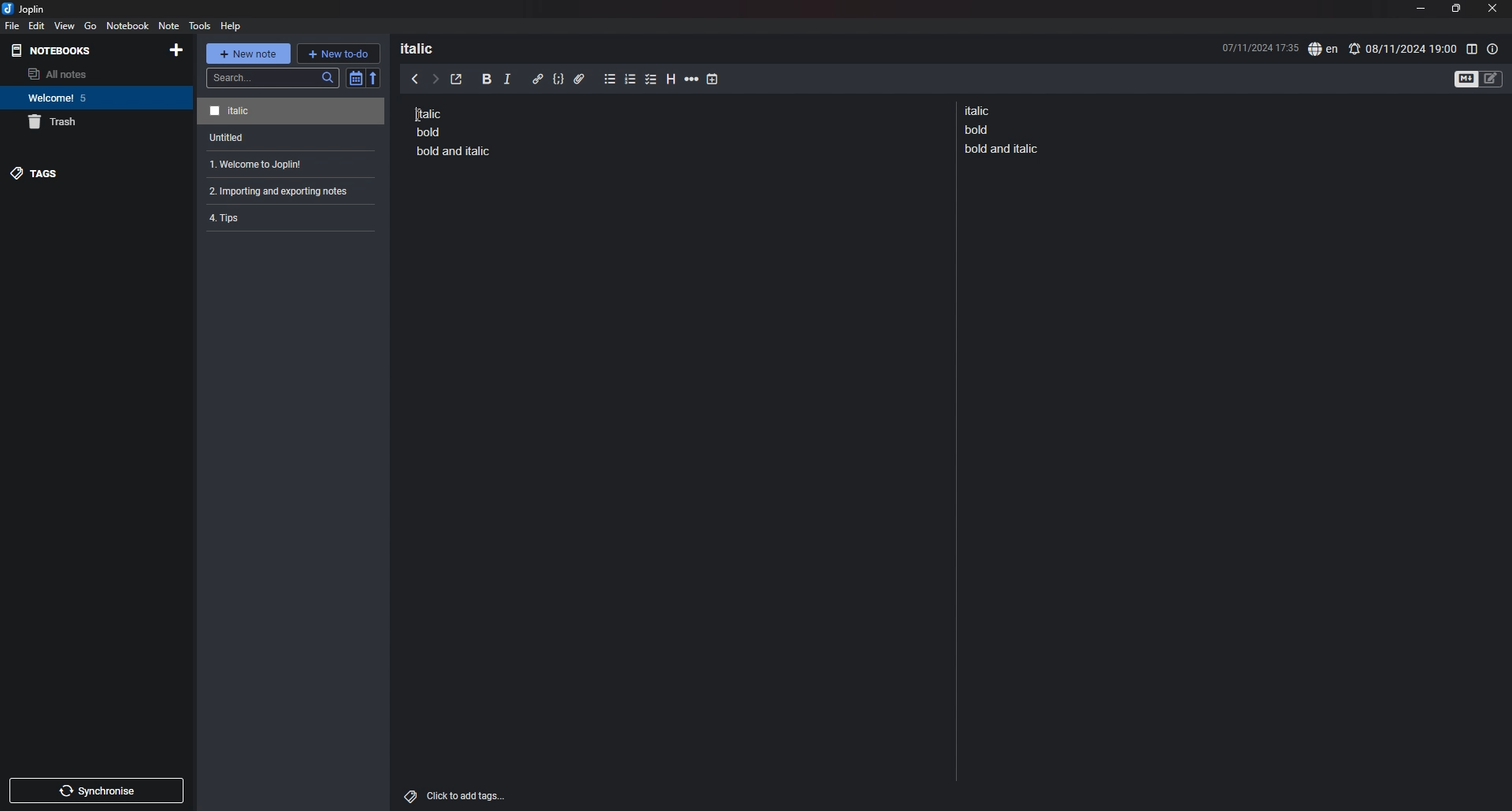 The width and height of the screenshot is (1512, 811). What do you see at coordinates (1259, 46) in the screenshot?
I see `date and time` at bounding box center [1259, 46].